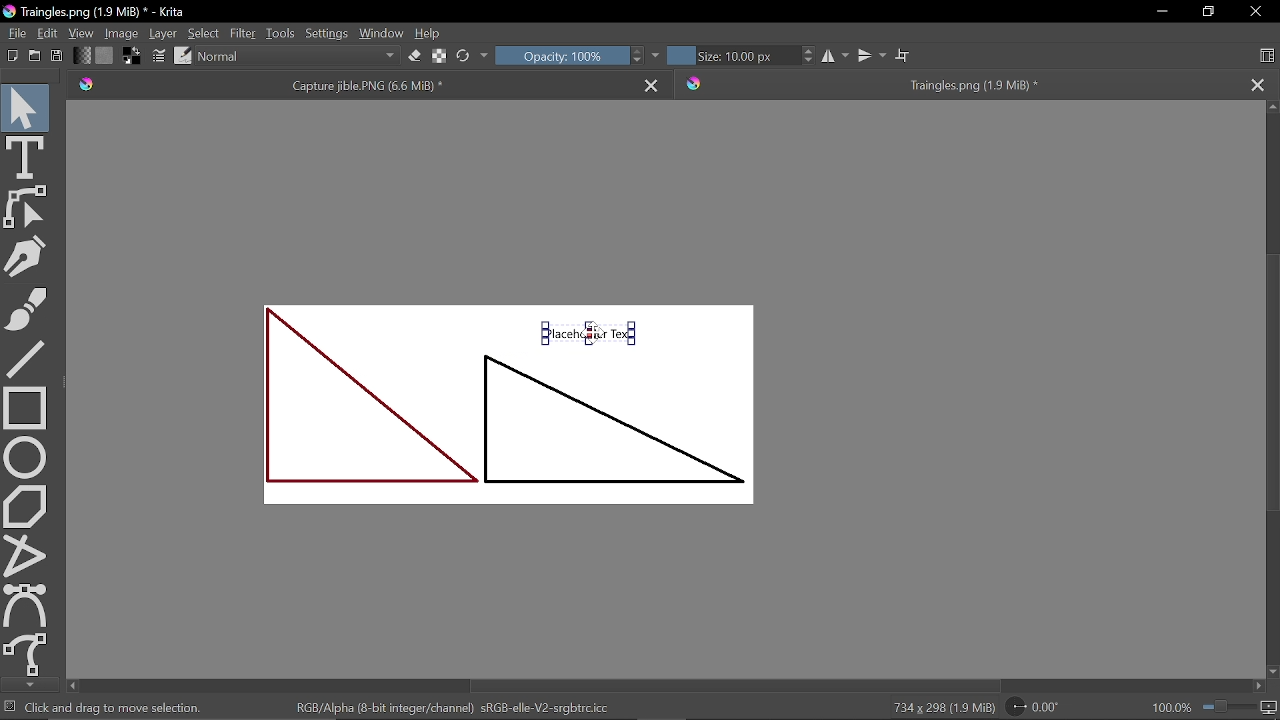 Image resolution: width=1280 pixels, height=720 pixels. I want to click on Line tool, so click(28, 358).